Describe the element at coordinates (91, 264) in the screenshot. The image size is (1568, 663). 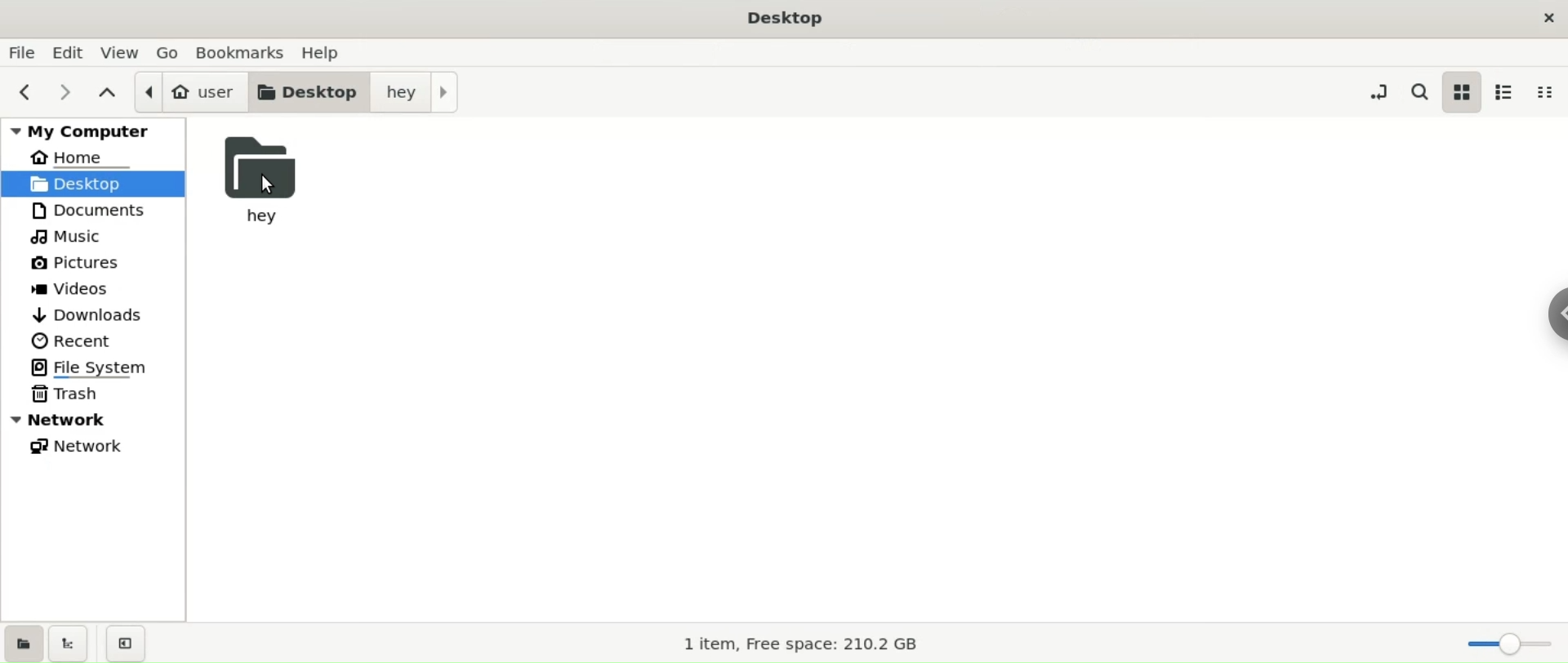
I see `pictures` at that location.